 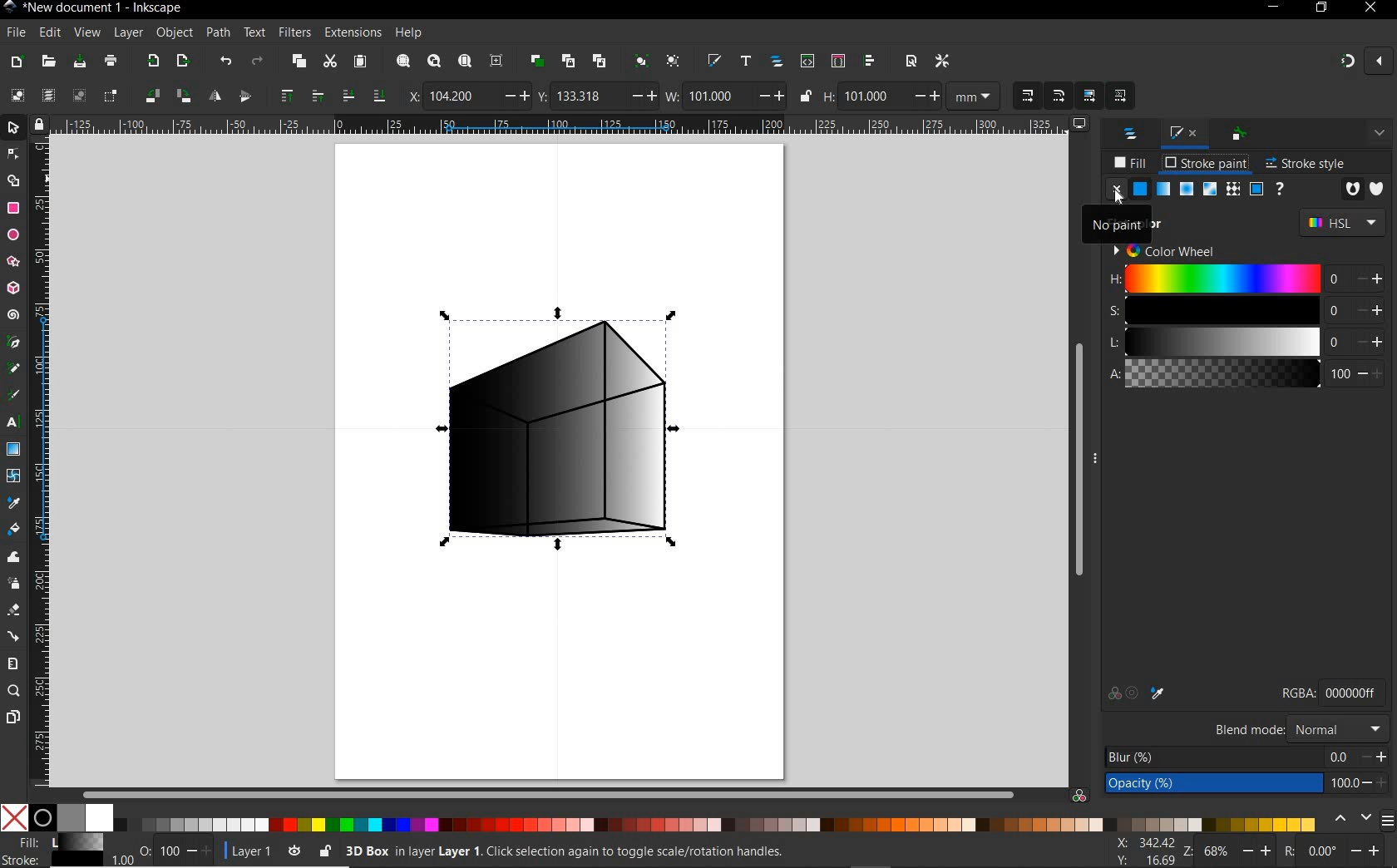 I want to click on 100, so click(x=1345, y=783).